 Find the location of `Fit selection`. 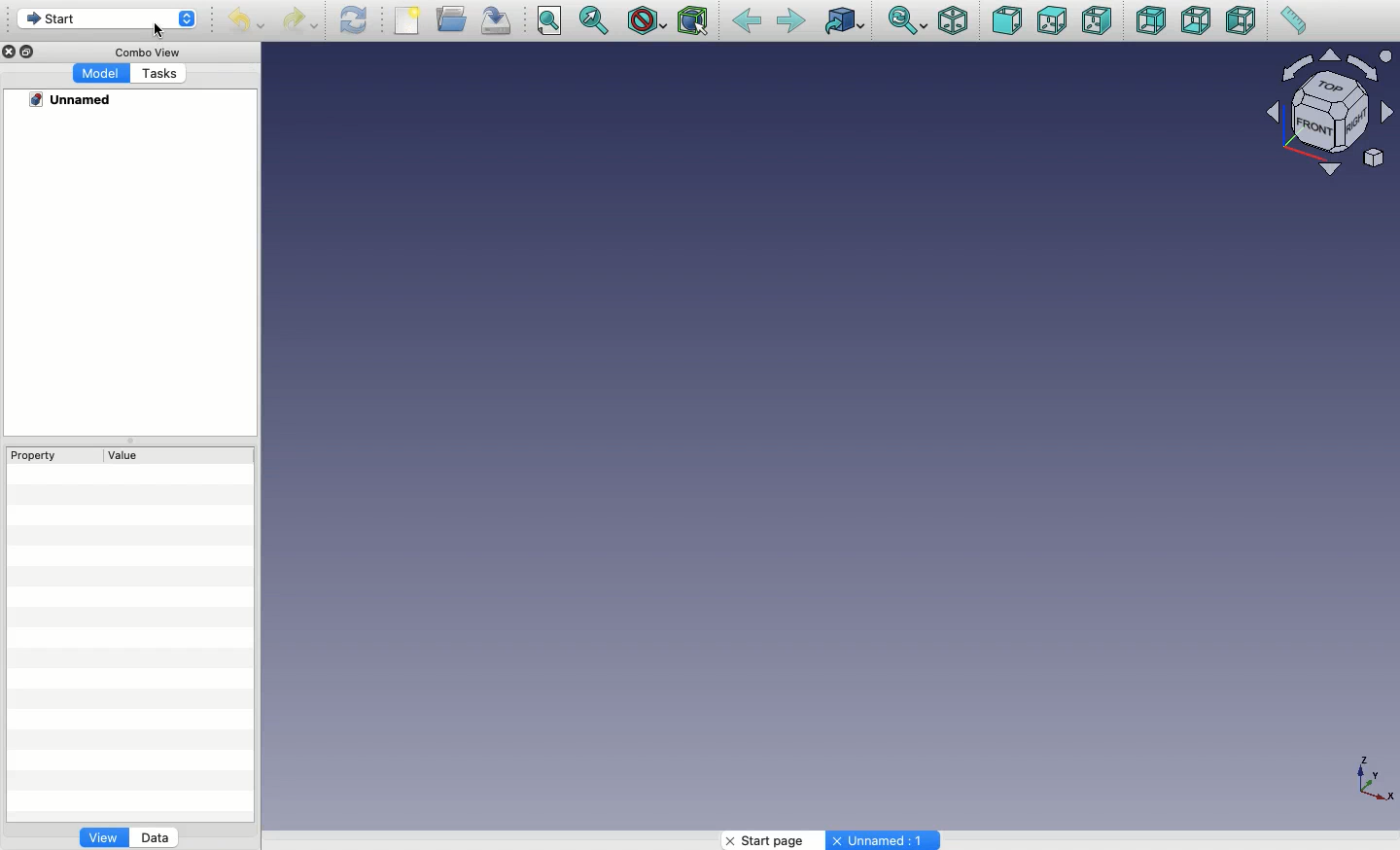

Fit selection is located at coordinates (596, 19).